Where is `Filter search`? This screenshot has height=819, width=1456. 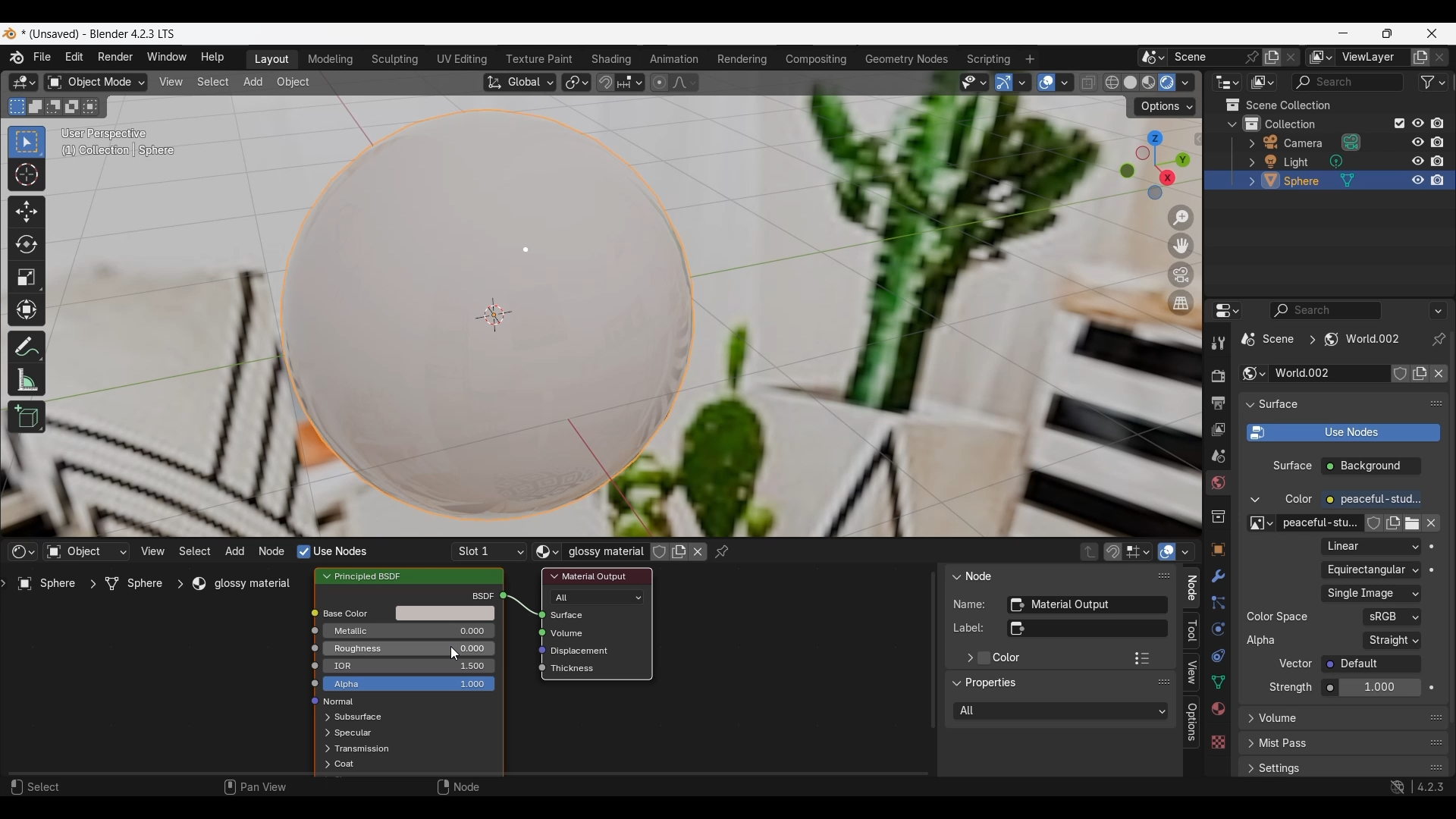
Filter search is located at coordinates (1348, 83).